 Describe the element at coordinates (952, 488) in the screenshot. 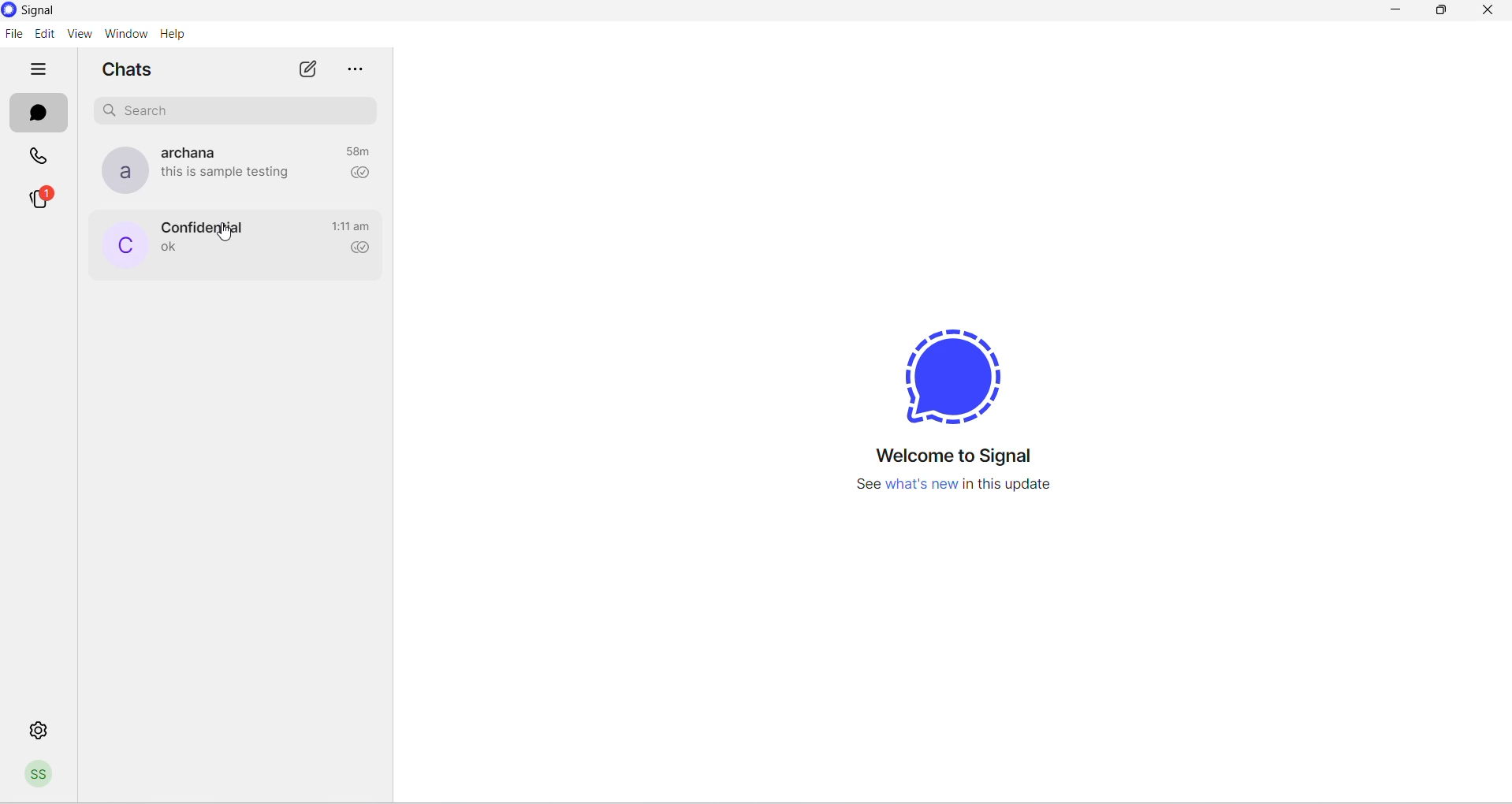

I see `new update information` at that location.